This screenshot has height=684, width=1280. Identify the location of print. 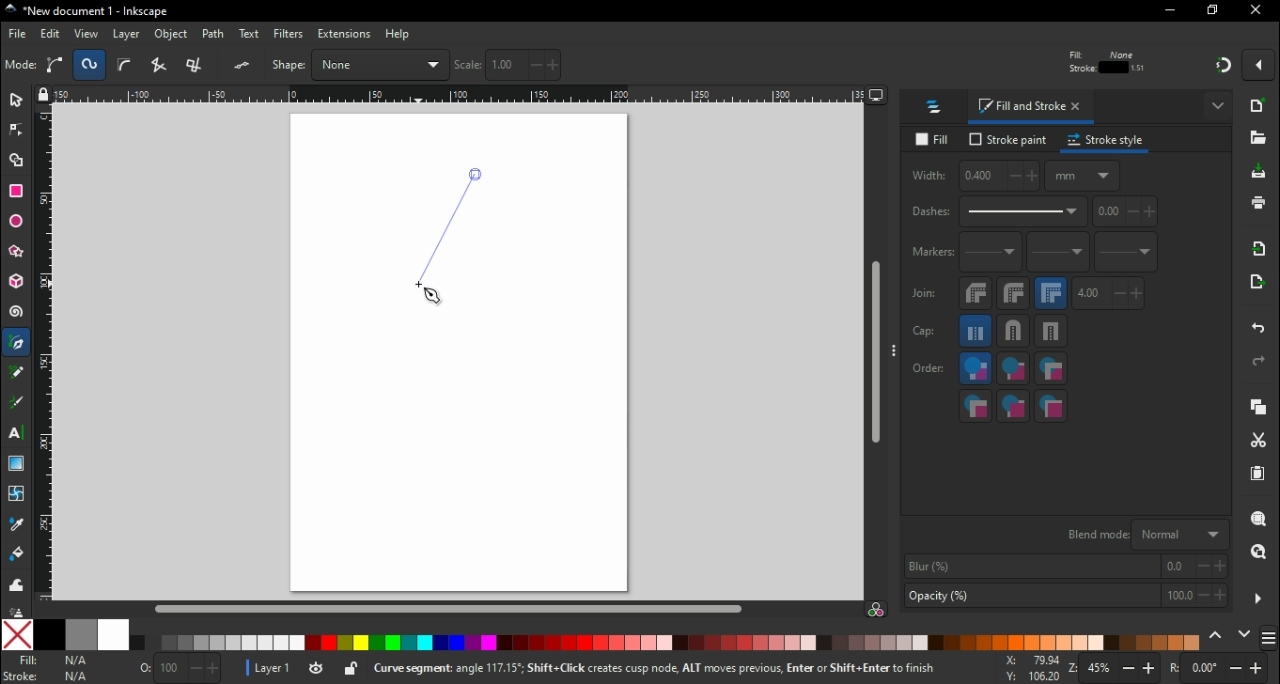
(1260, 203).